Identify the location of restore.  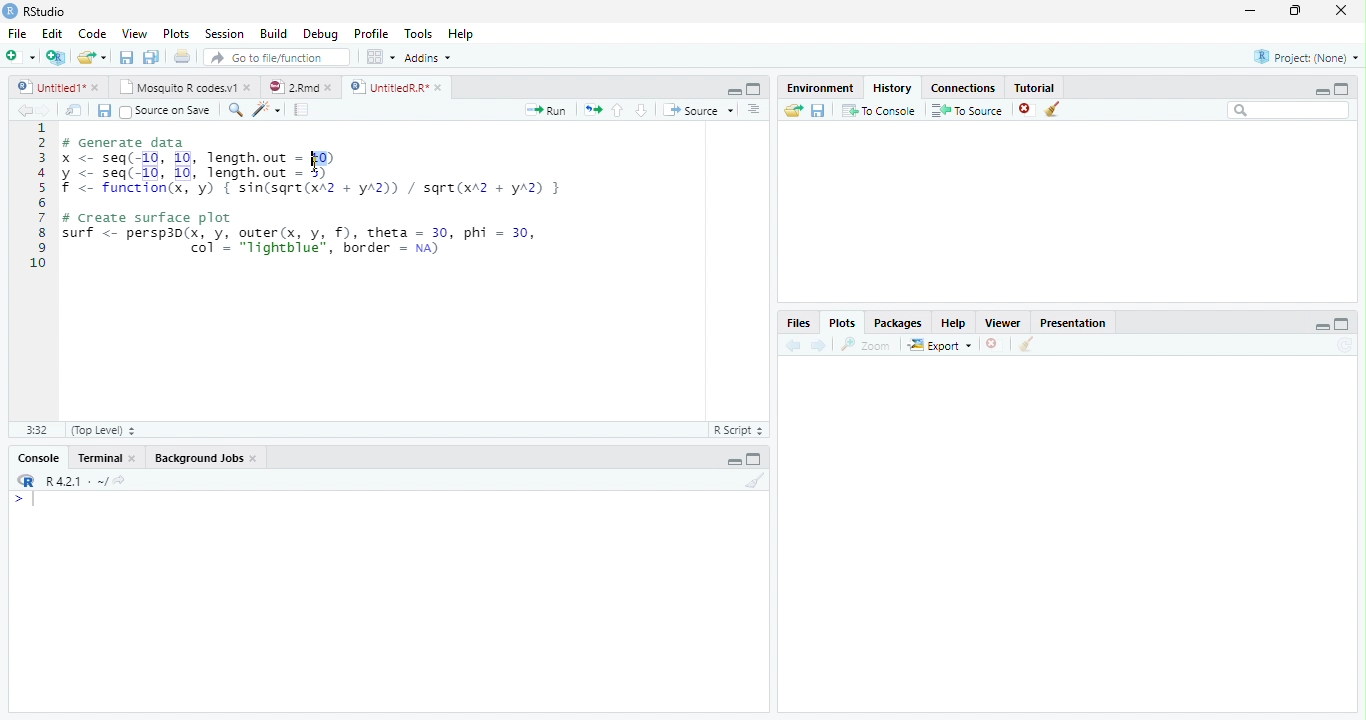
(1295, 10).